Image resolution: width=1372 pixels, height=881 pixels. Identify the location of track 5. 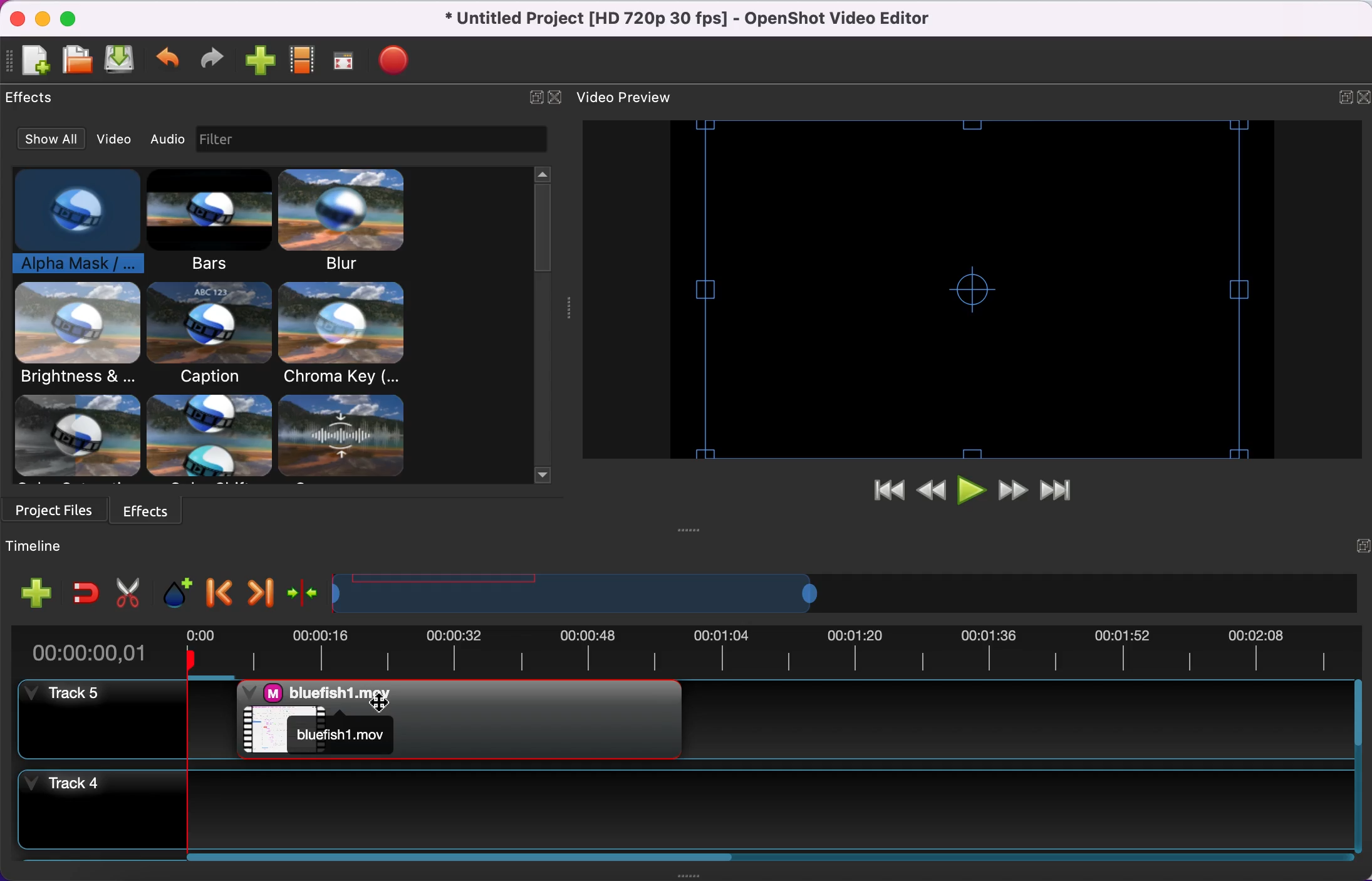
(105, 726).